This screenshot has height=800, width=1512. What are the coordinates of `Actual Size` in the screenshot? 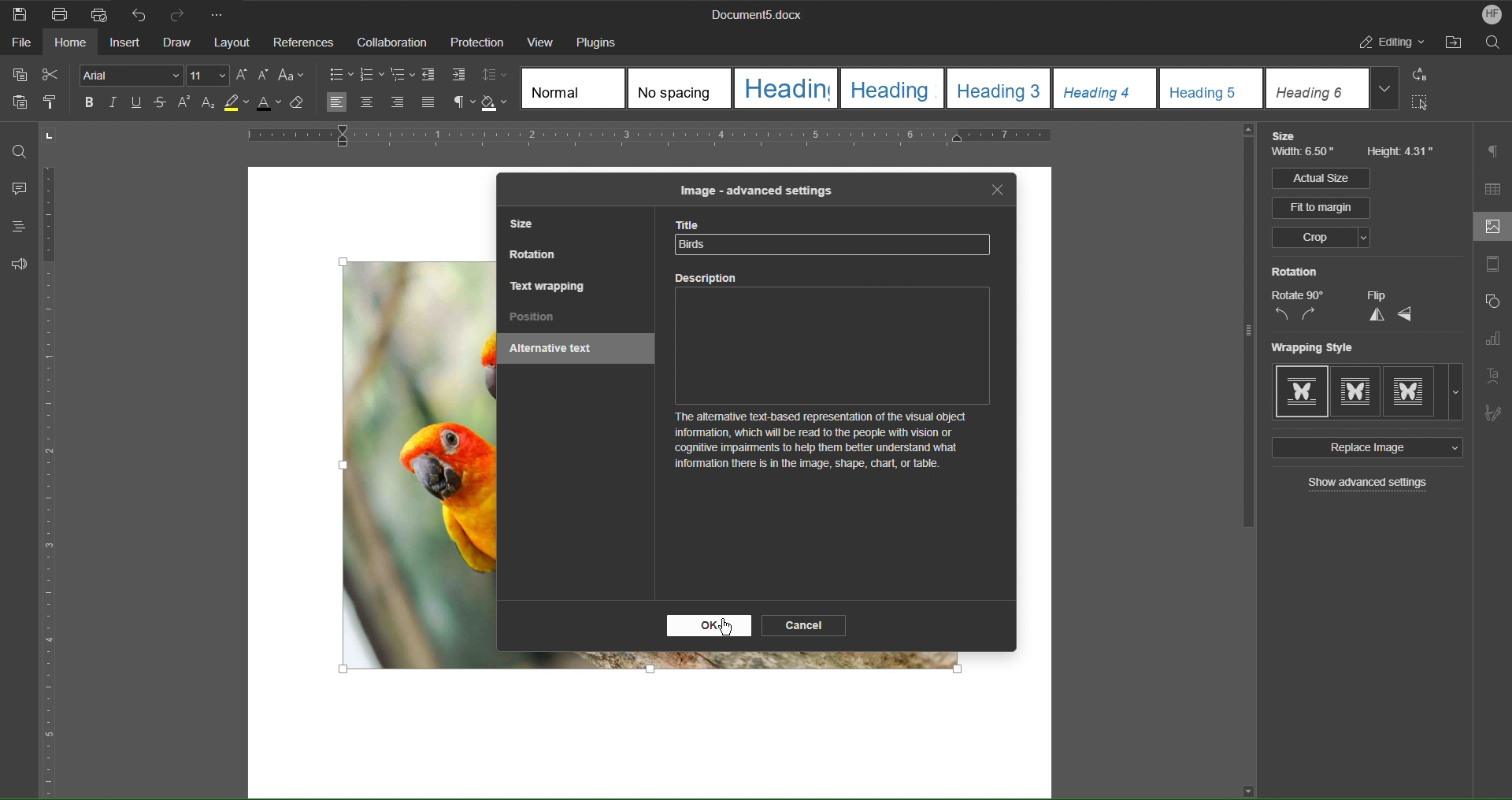 It's located at (1320, 178).